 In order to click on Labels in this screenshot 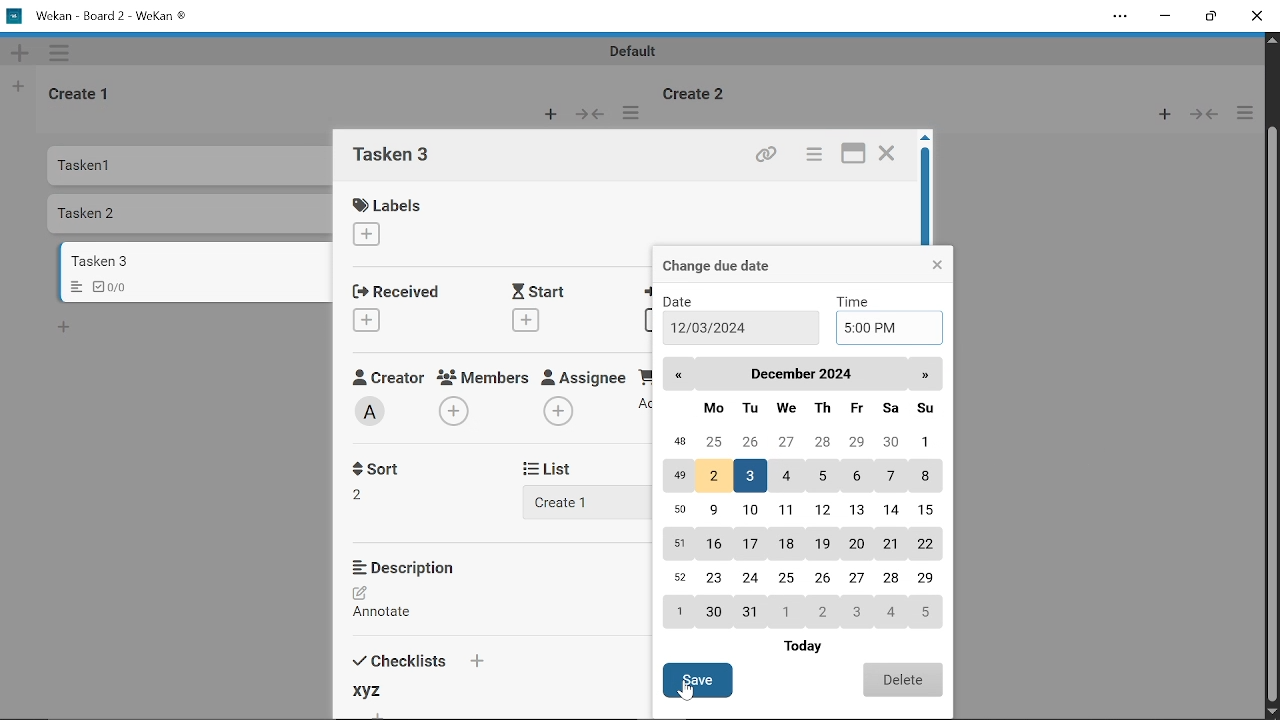, I will do `click(392, 204)`.